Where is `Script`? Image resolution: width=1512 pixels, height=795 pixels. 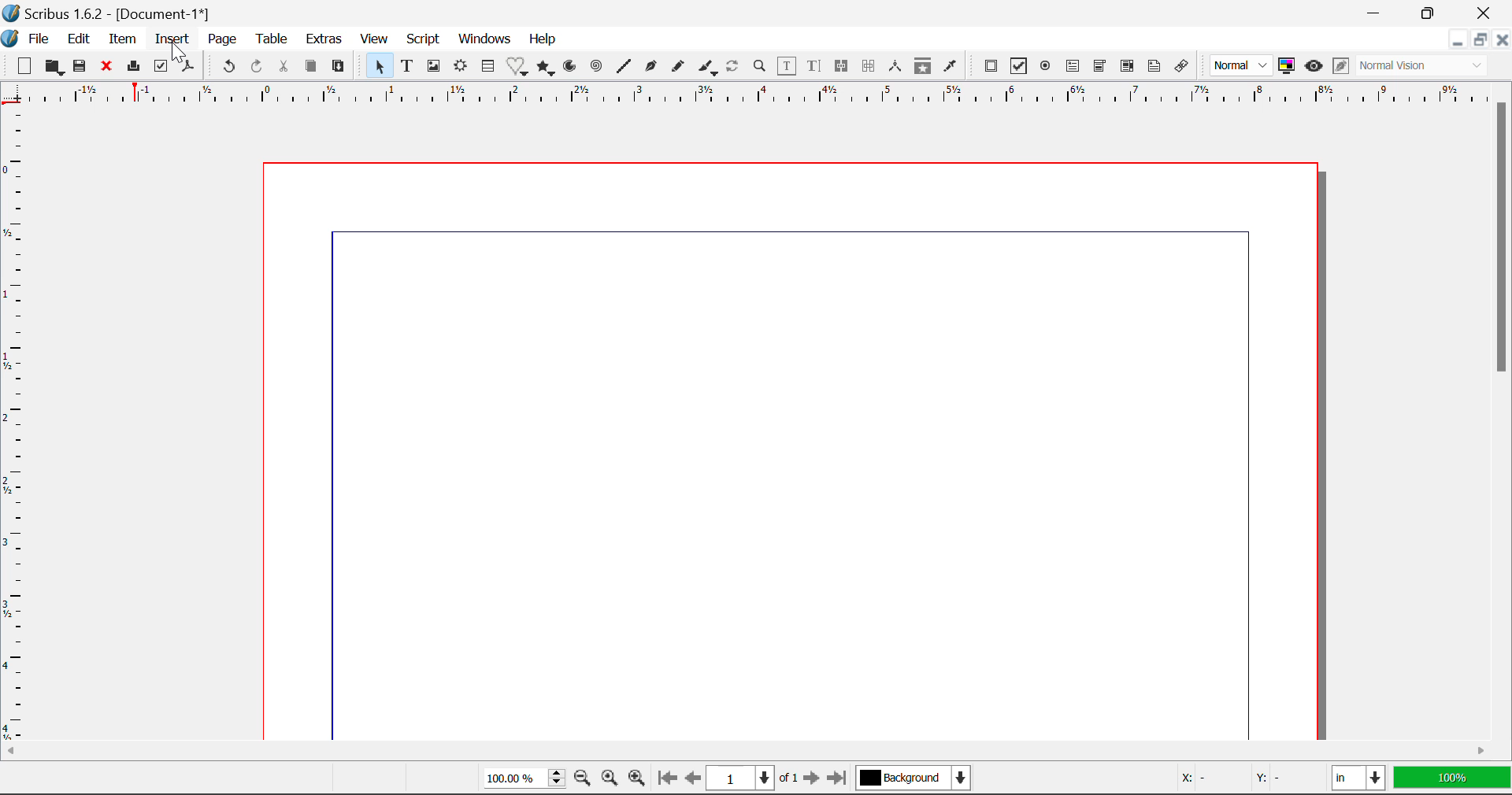
Script is located at coordinates (422, 41).